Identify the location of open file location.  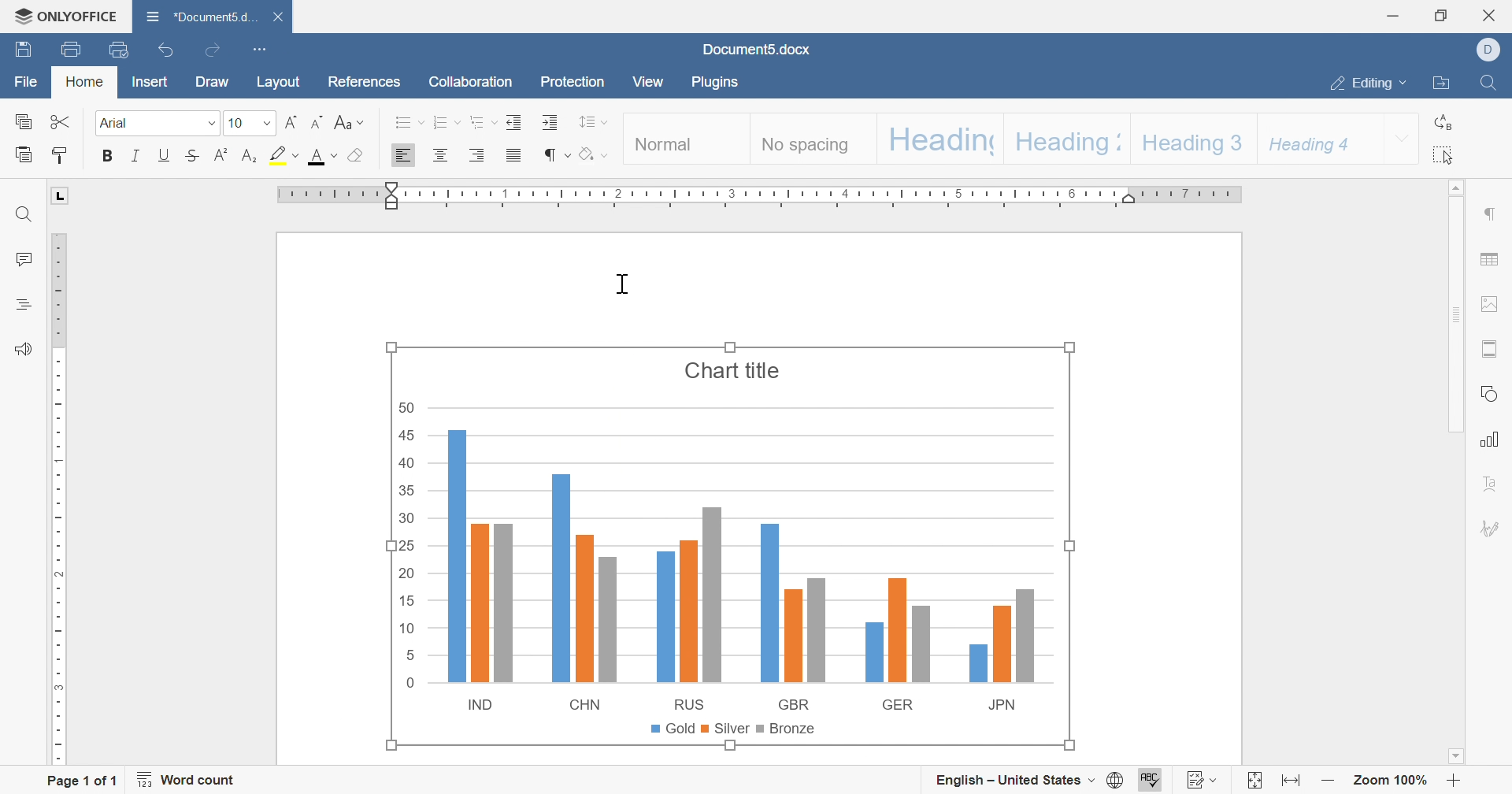
(1443, 83).